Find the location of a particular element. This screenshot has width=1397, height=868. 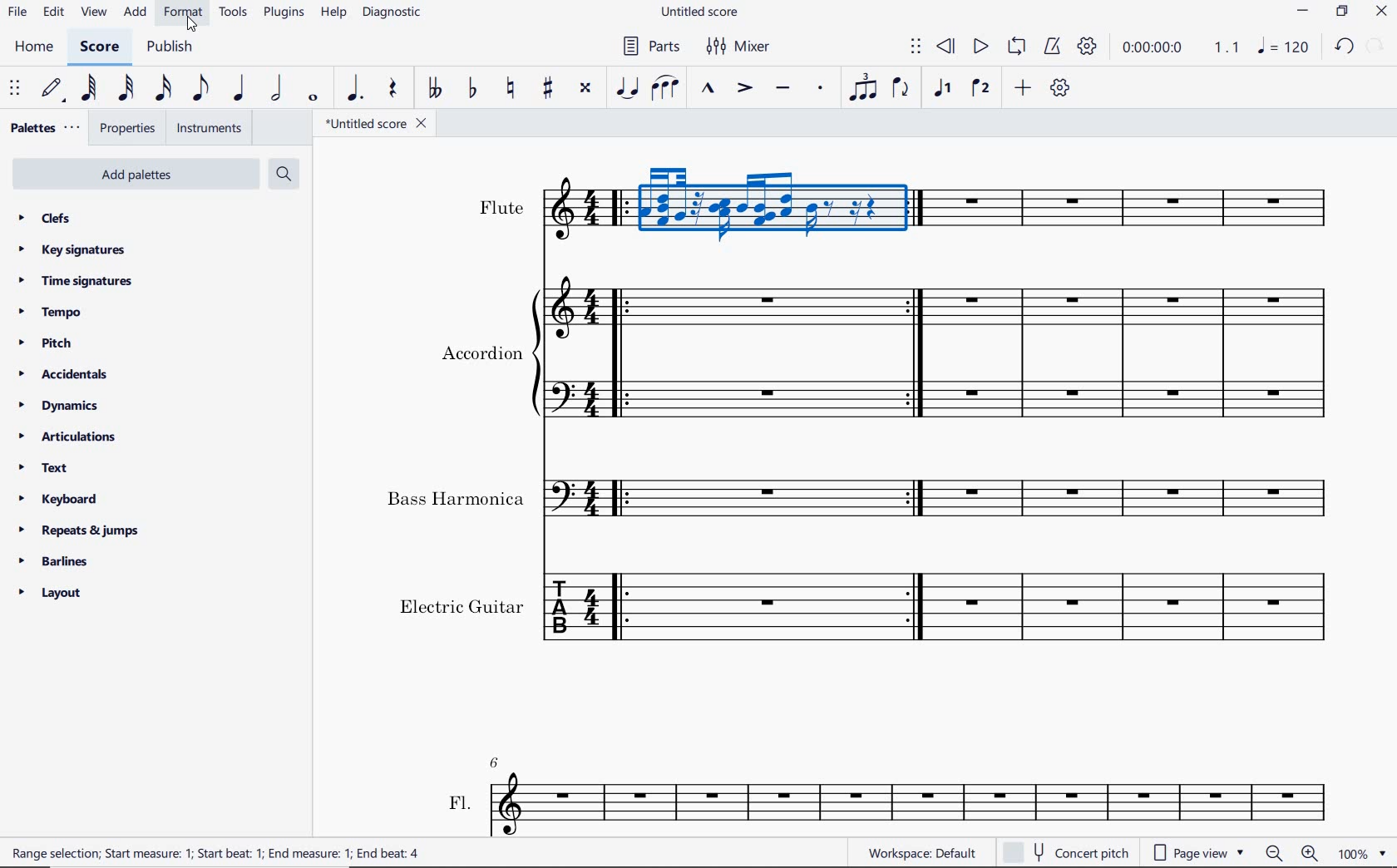

keyboard is located at coordinates (61, 499).